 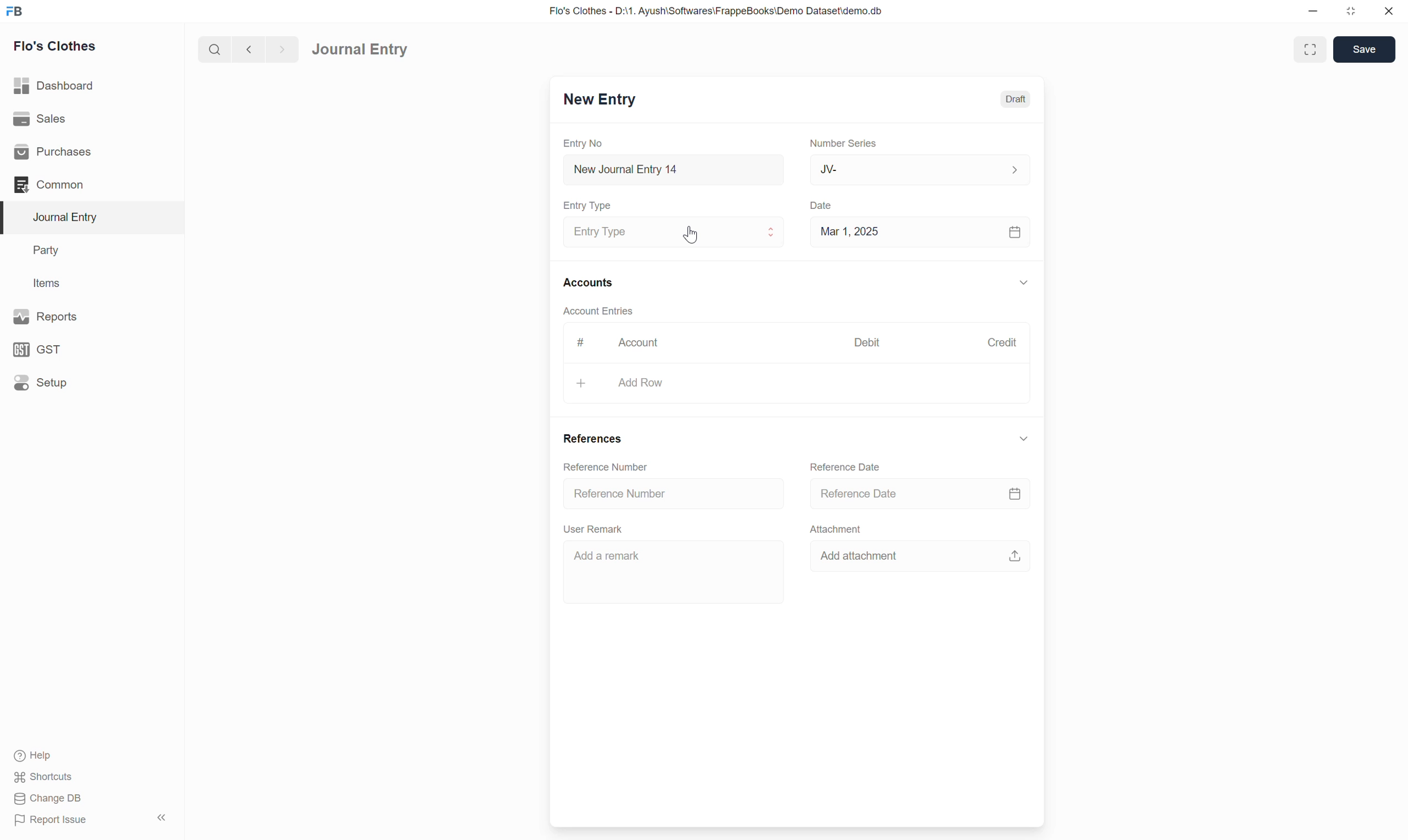 What do you see at coordinates (841, 532) in the screenshot?
I see `Attachment` at bounding box center [841, 532].